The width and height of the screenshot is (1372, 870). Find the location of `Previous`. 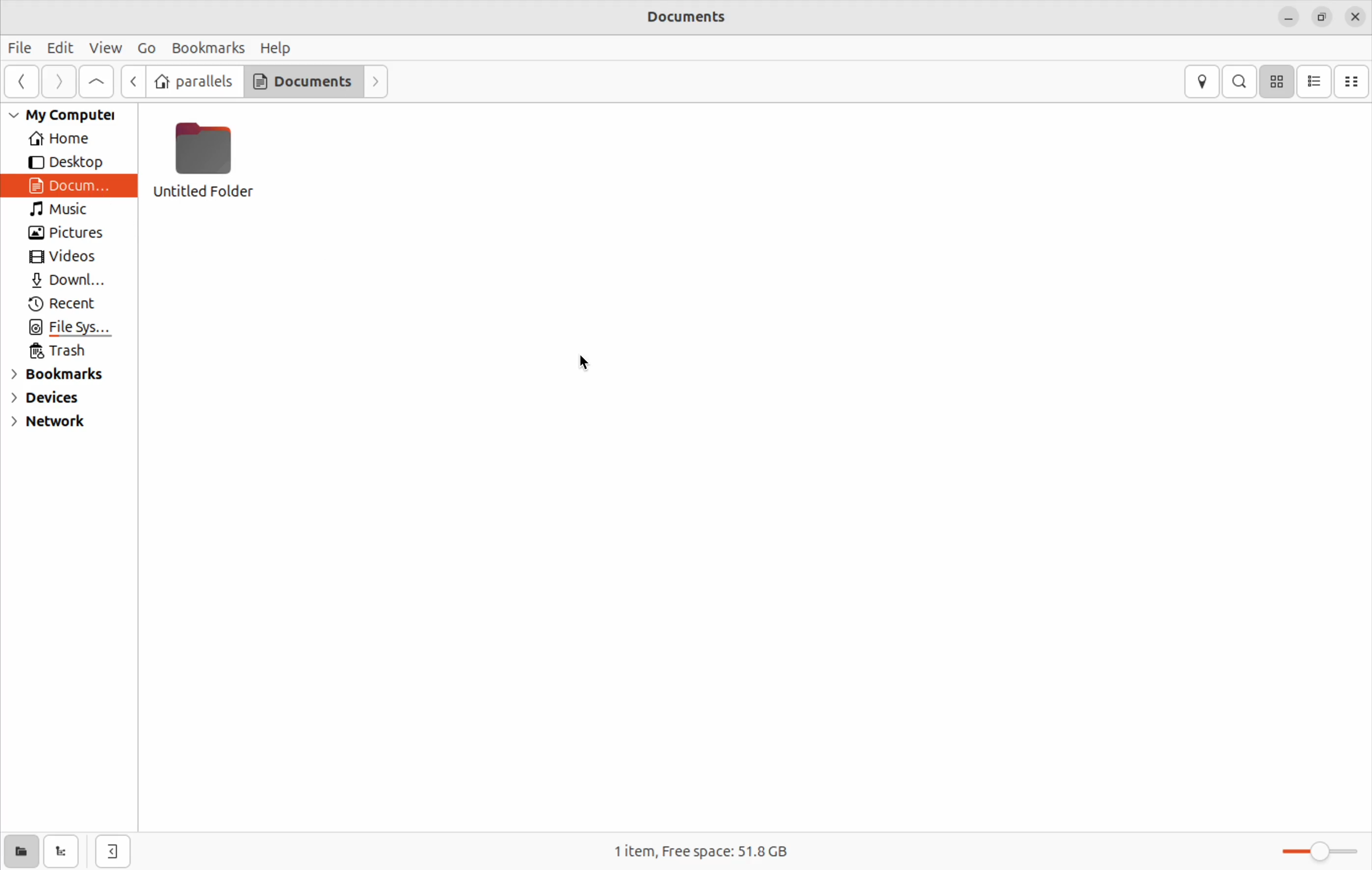

Previous is located at coordinates (133, 82).